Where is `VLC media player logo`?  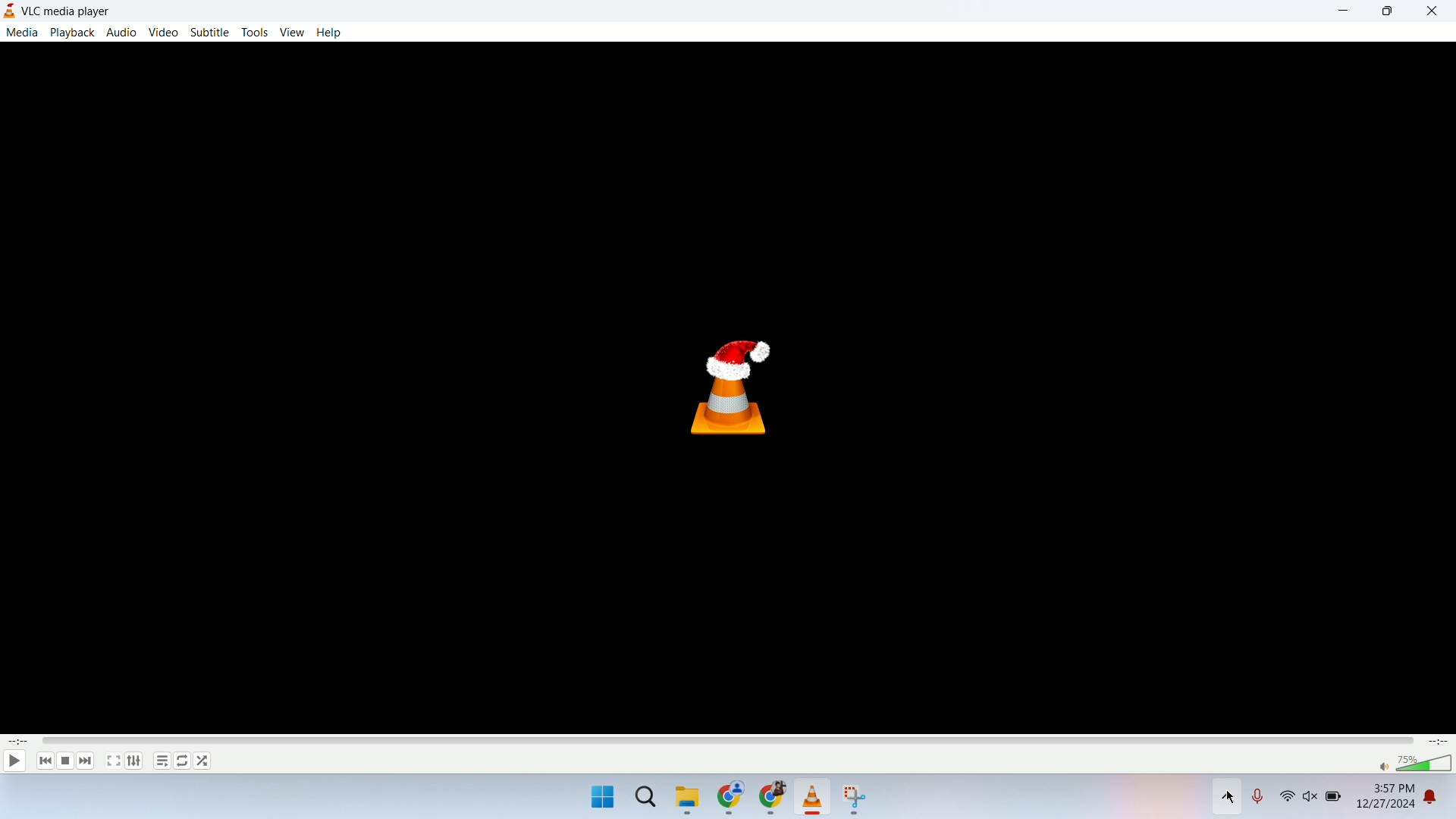 VLC media player logo is located at coordinates (736, 395).